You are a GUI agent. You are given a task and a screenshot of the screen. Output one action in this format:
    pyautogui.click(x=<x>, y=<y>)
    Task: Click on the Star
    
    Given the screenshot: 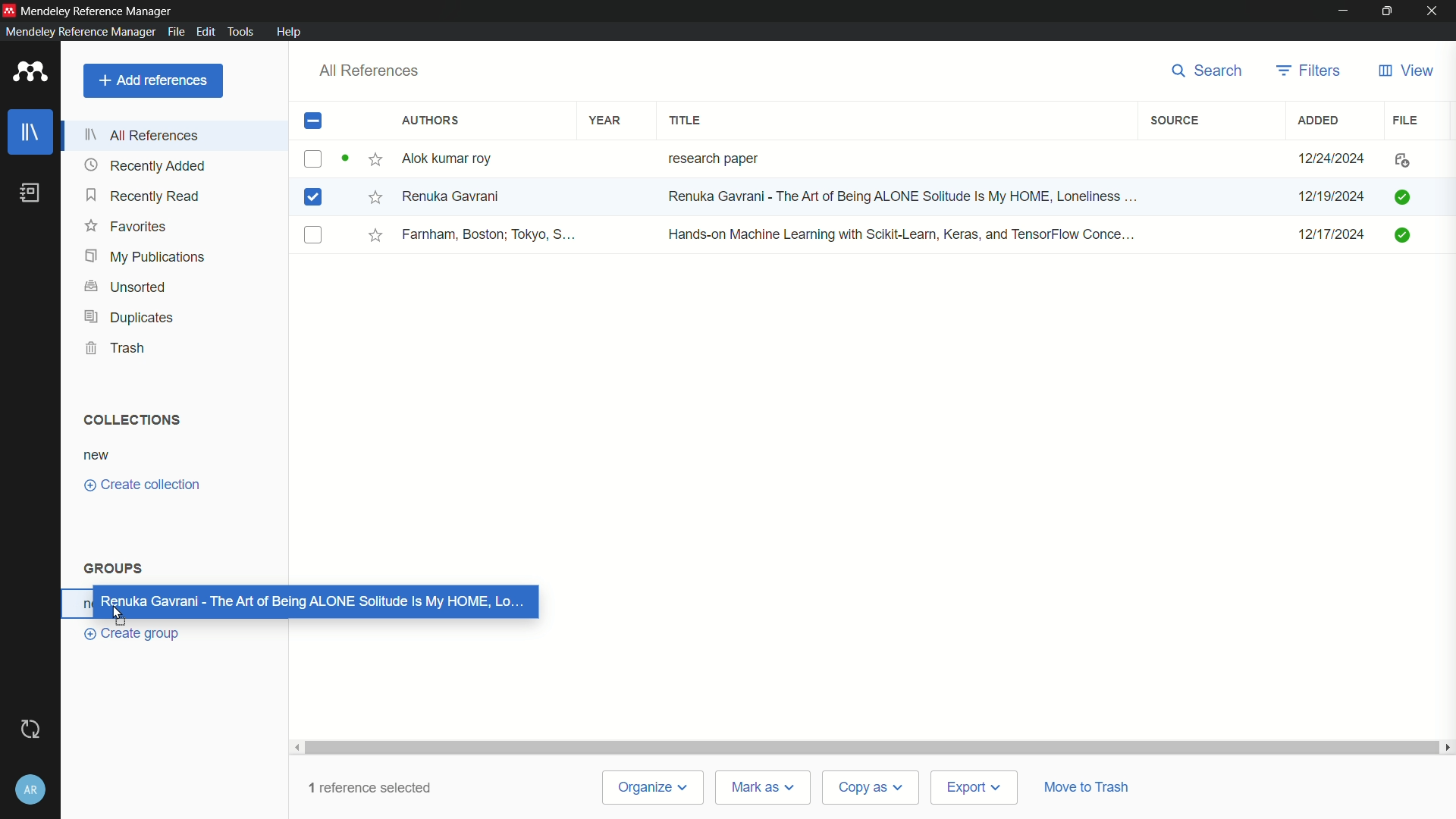 What is the action you would take?
    pyautogui.click(x=376, y=235)
    